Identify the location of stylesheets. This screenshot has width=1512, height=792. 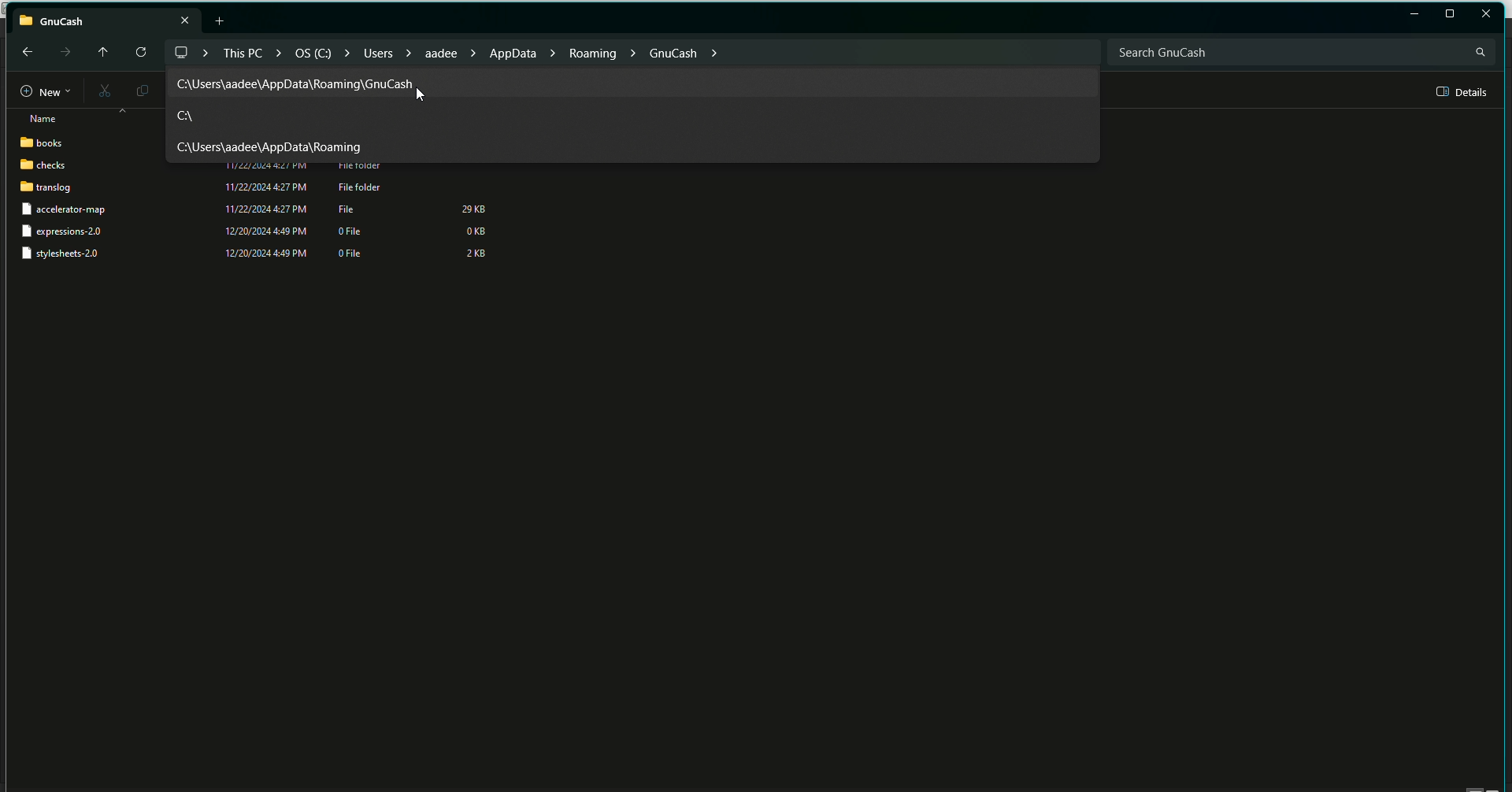
(67, 255).